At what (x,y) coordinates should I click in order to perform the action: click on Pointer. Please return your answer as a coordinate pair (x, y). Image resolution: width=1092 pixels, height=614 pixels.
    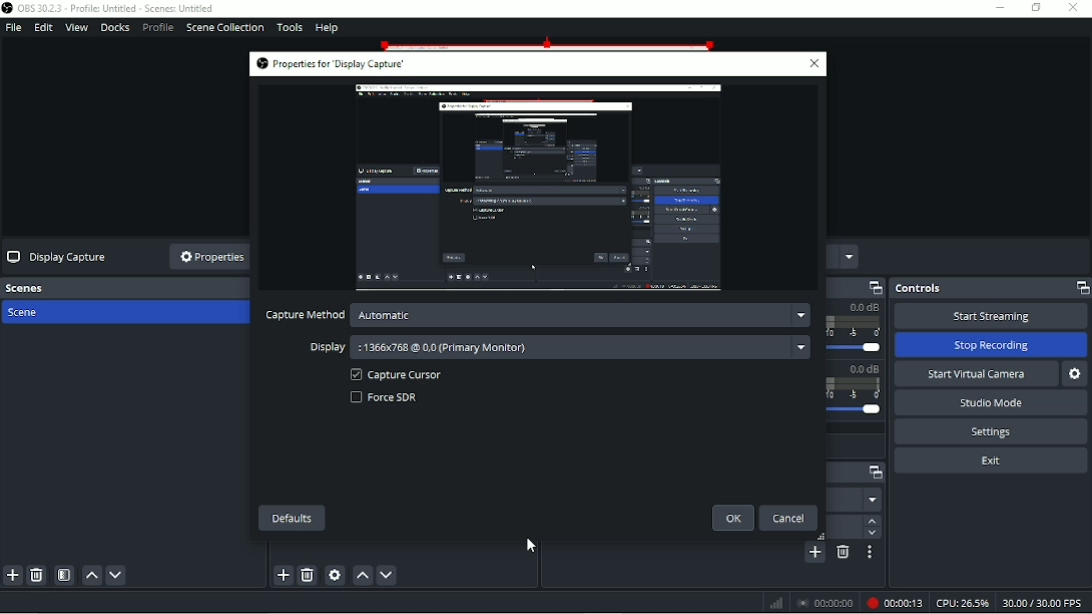
    Looking at the image, I should click on (532, 545).